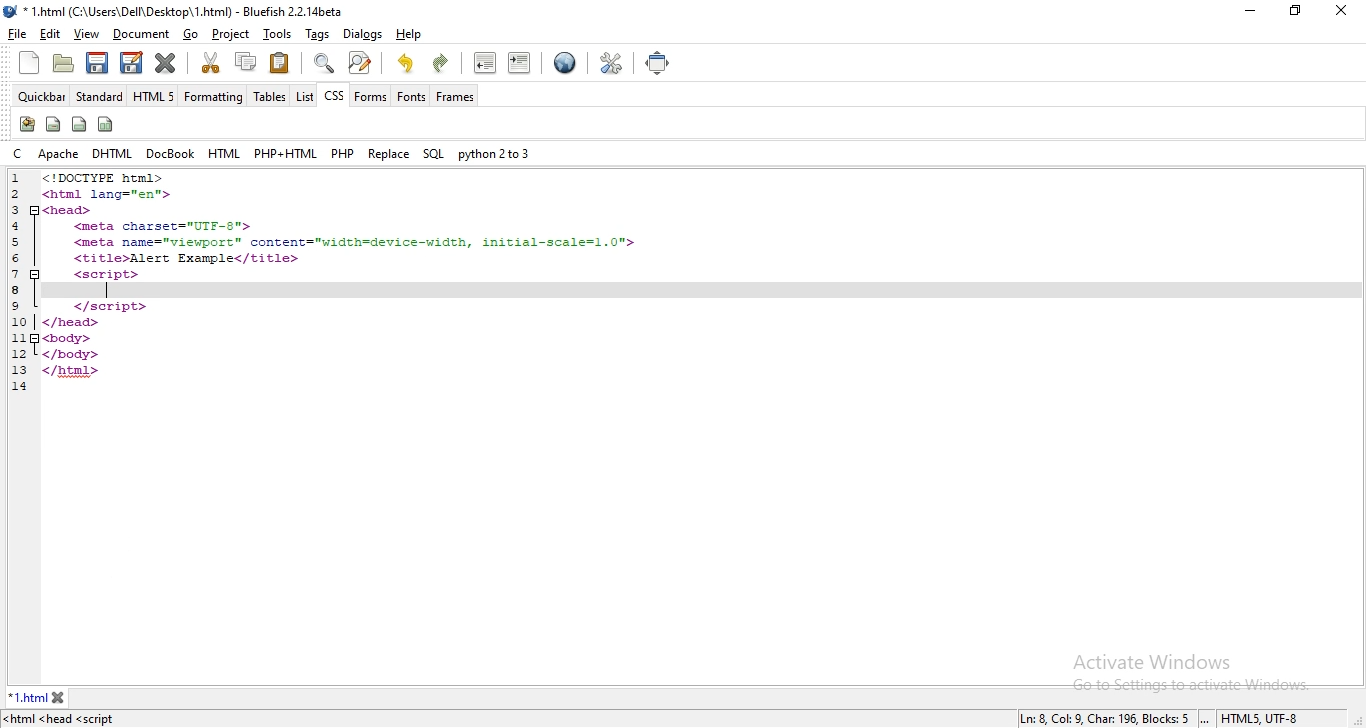 The height and width of the screenshot is (728, 1366). I want to click on <!DOCTYPE html>, so click(103, 178).